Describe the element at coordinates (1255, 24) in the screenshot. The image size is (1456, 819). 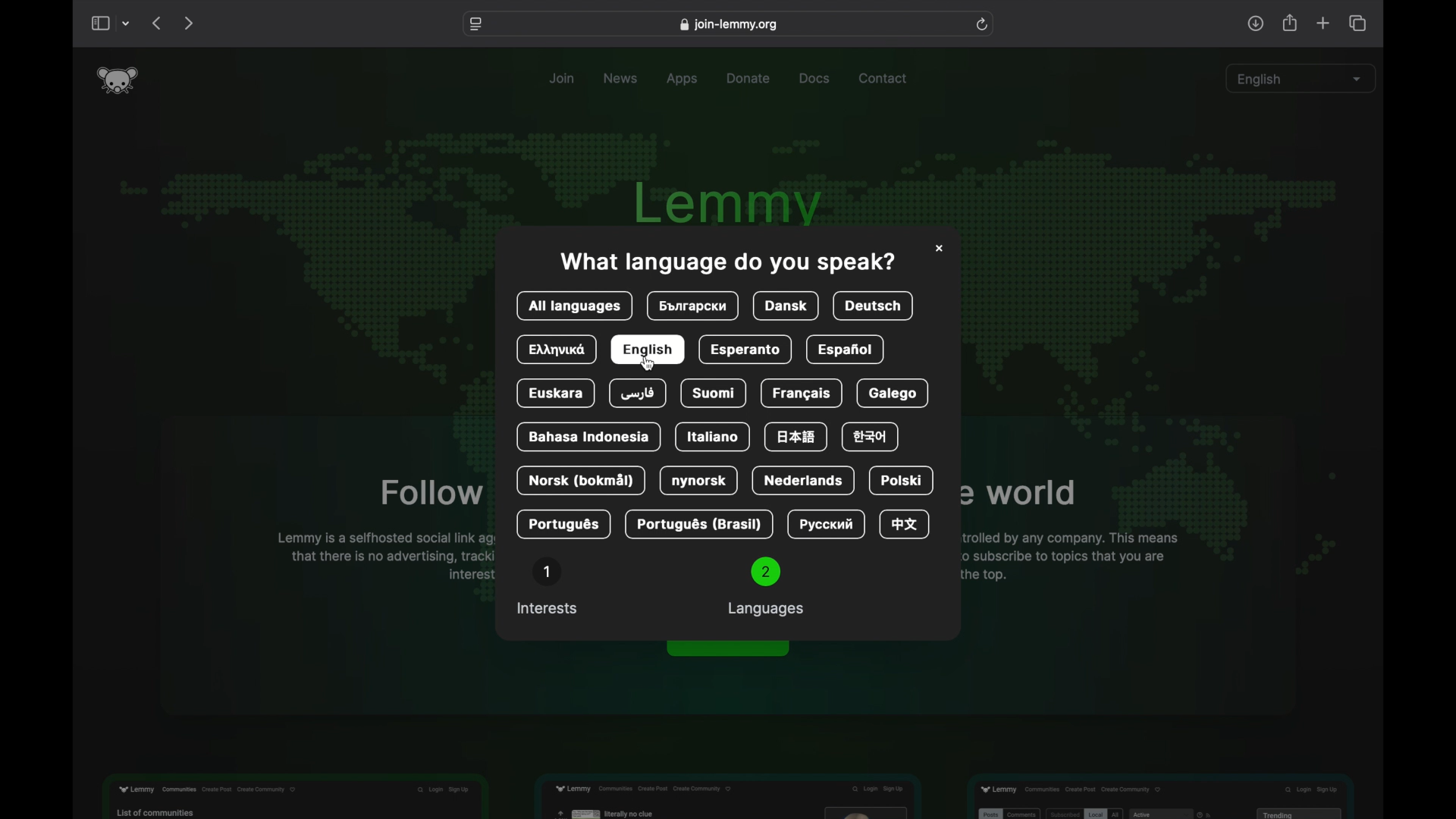
I see `share` at that location.